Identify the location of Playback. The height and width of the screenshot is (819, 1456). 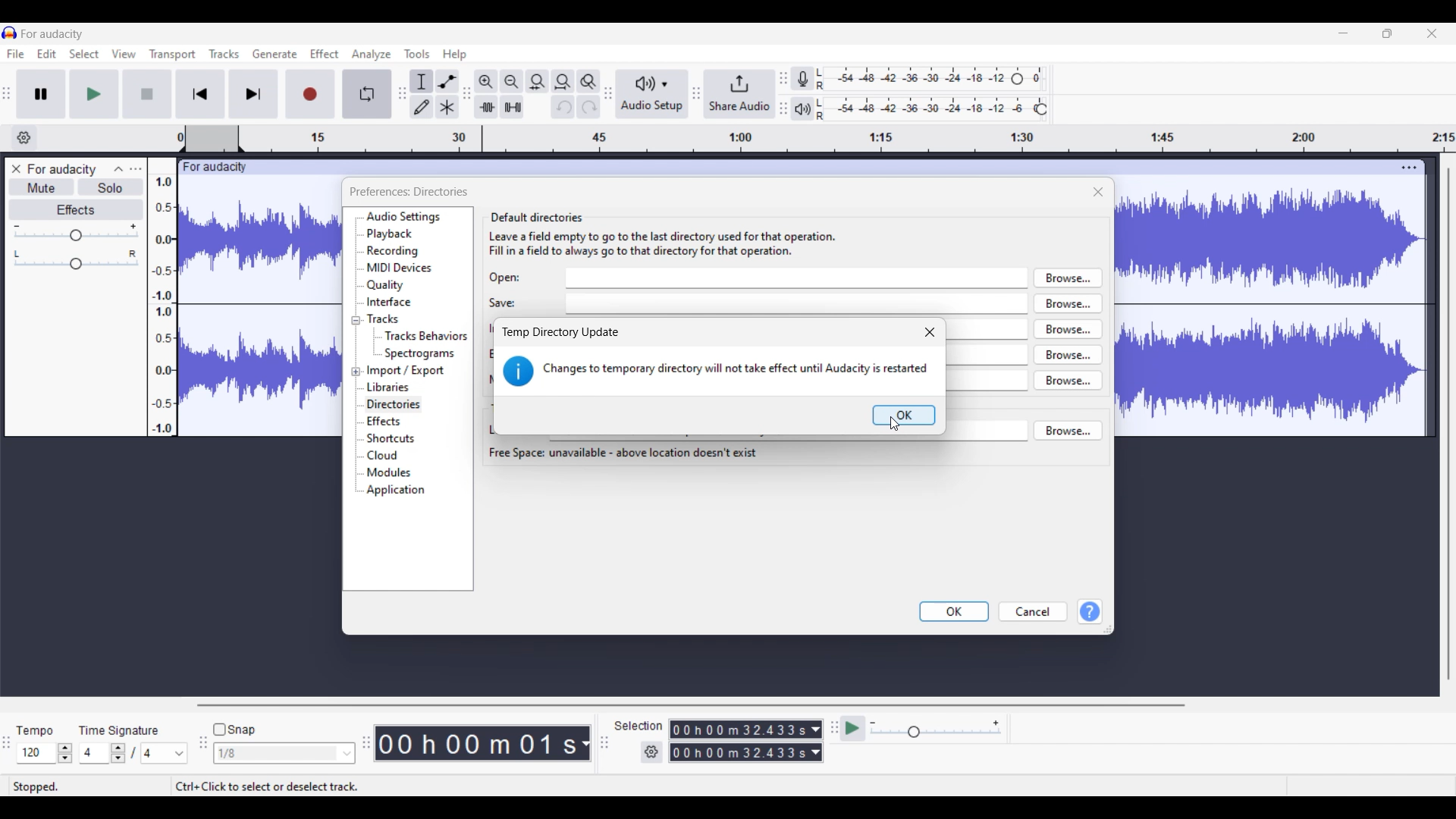
(391, 234).